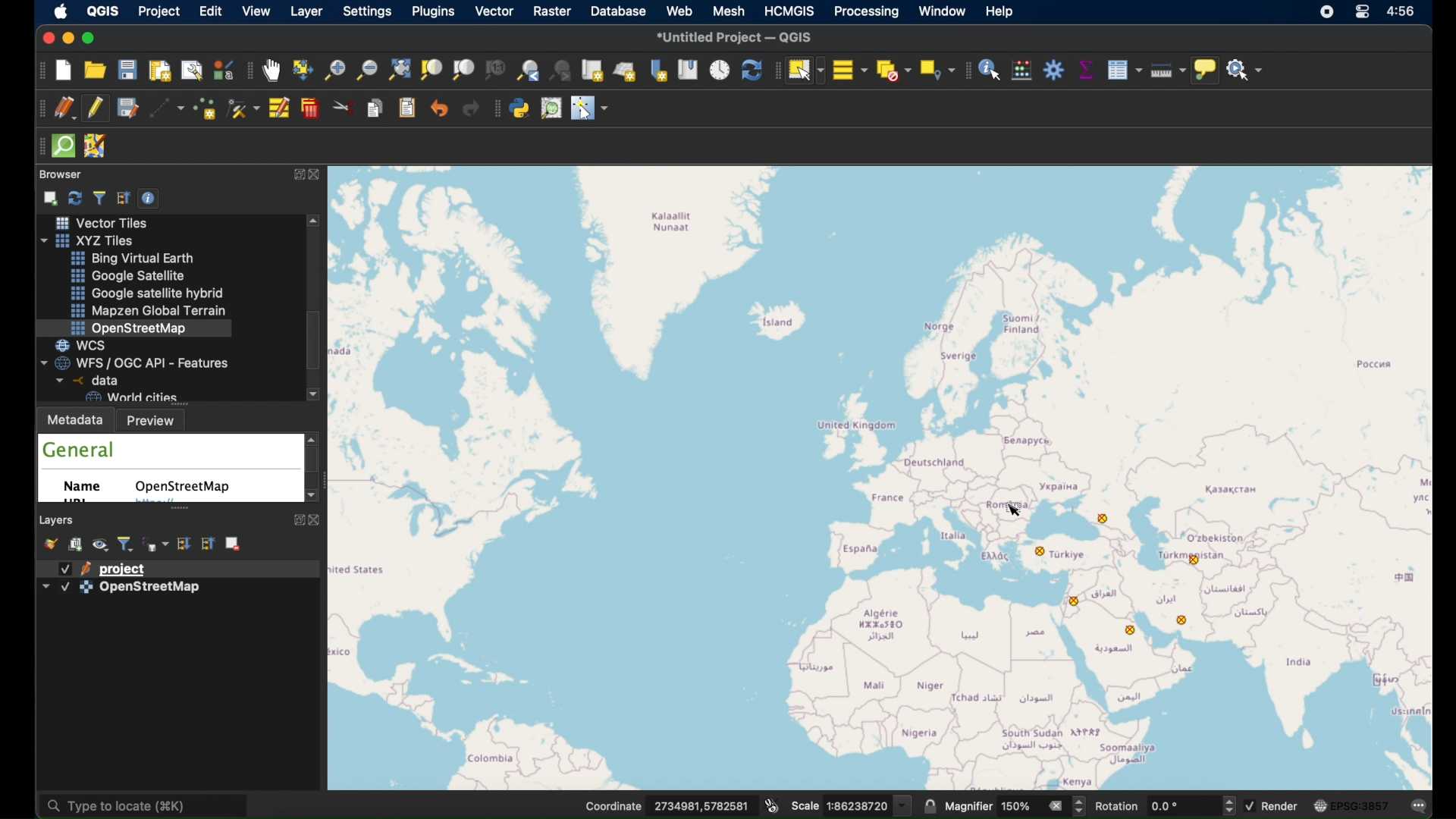  I want to click on toggle editing, so click(98, 108).